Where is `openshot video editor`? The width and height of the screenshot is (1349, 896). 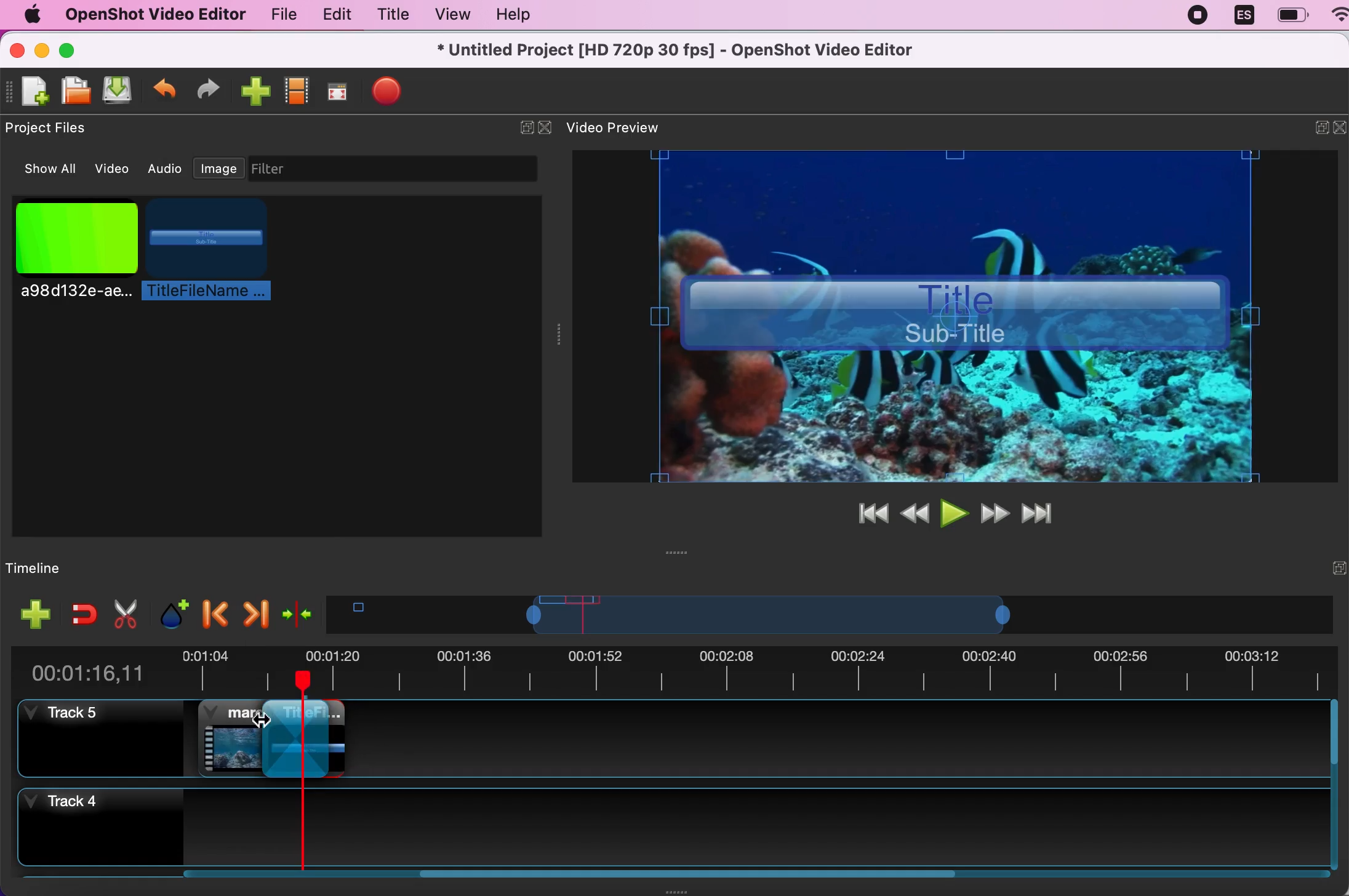
openshot video editor is located at coordinates (154, 15).